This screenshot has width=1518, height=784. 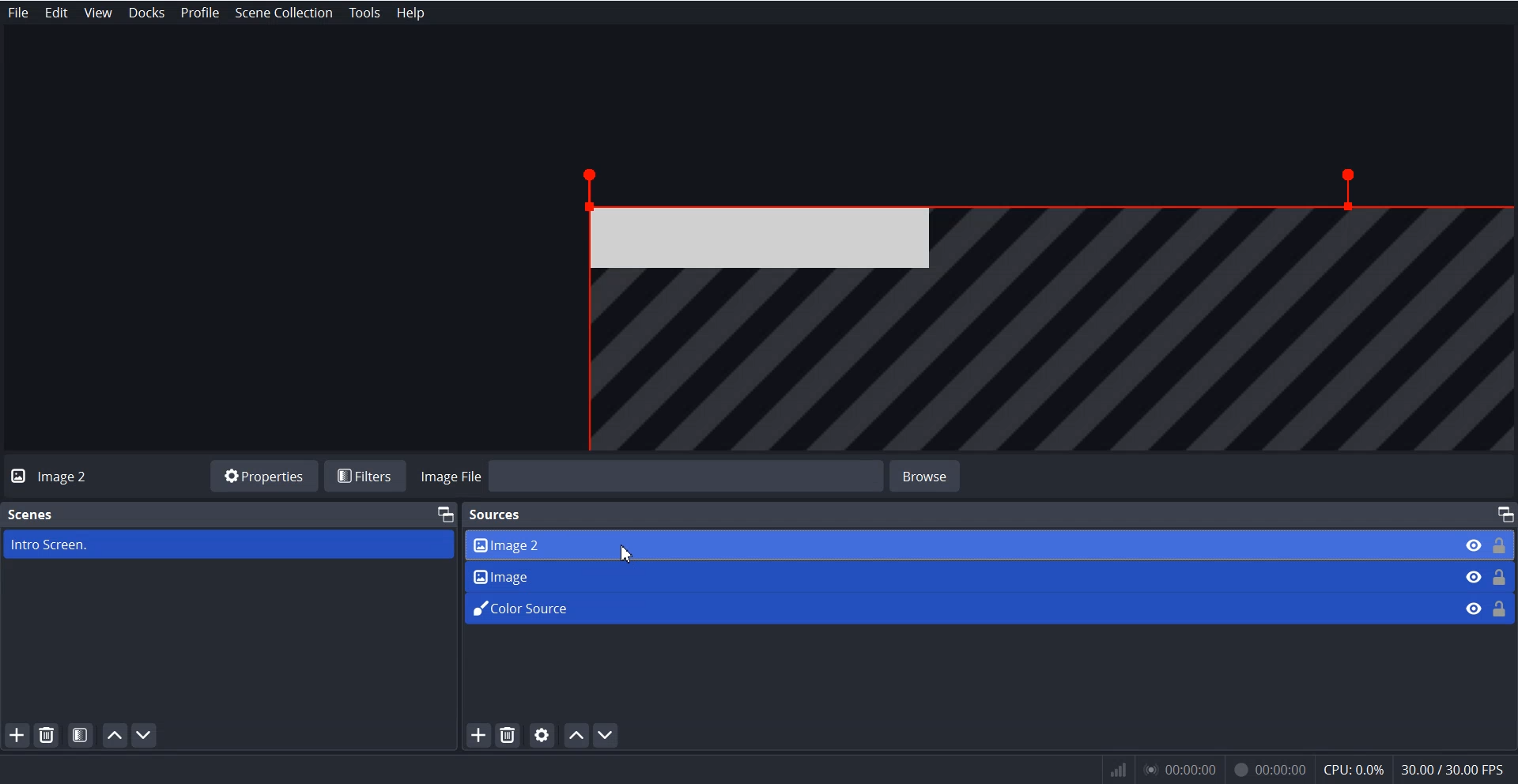 What do you see at coordinates (444, 513) in the screenshot?
I see `Maximize` at bounding box center [444, 513].